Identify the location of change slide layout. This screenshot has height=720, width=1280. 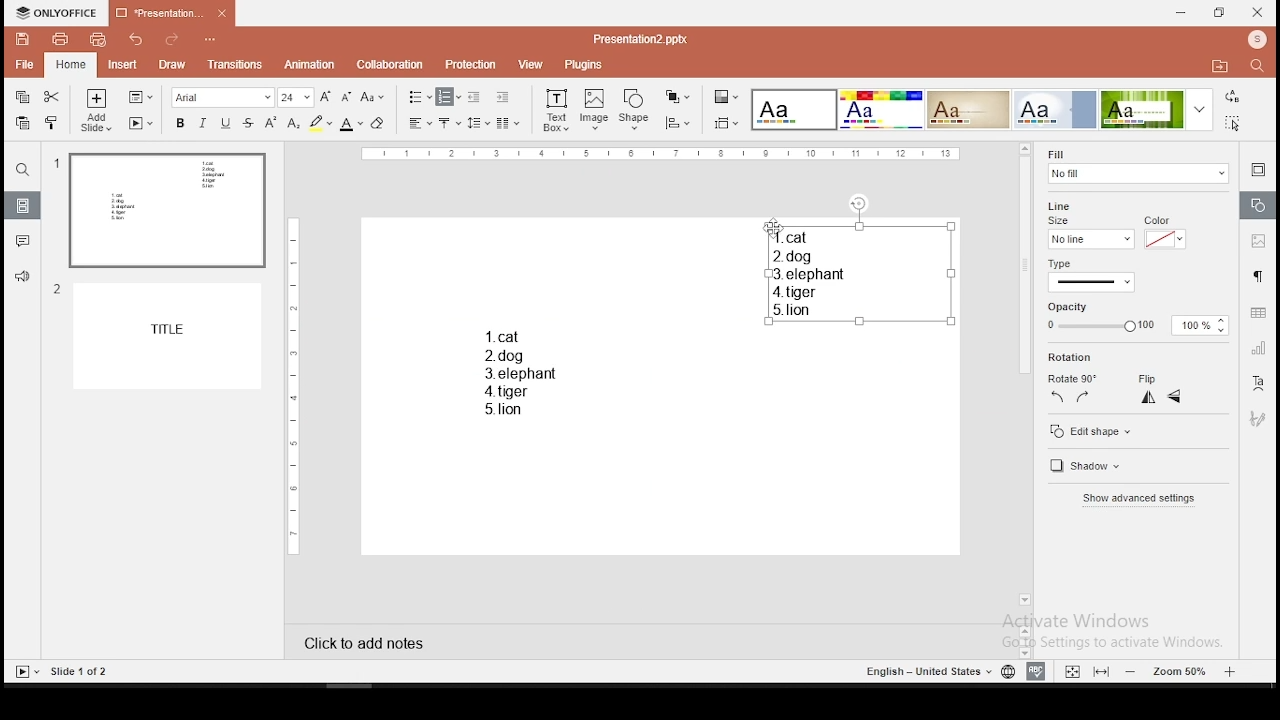
(141, 97).